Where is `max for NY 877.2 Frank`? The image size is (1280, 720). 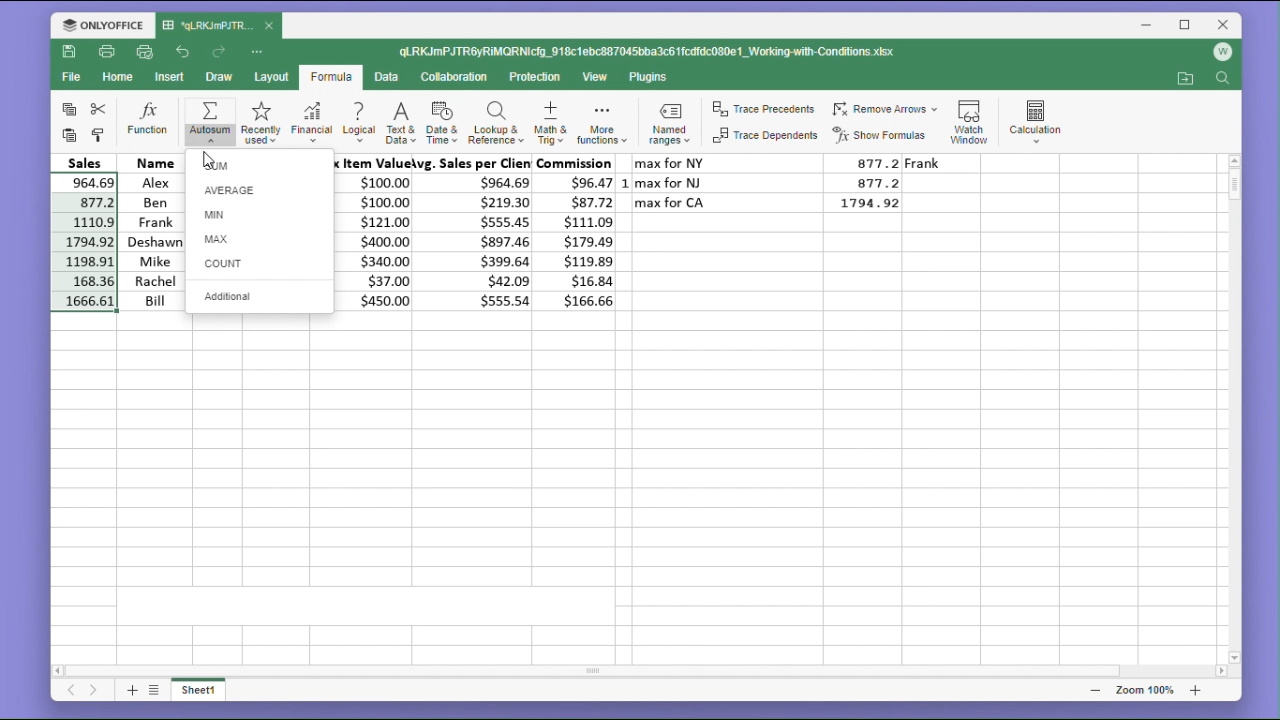 max for NY 877.2 Frank is located at coordinates (807, 163).